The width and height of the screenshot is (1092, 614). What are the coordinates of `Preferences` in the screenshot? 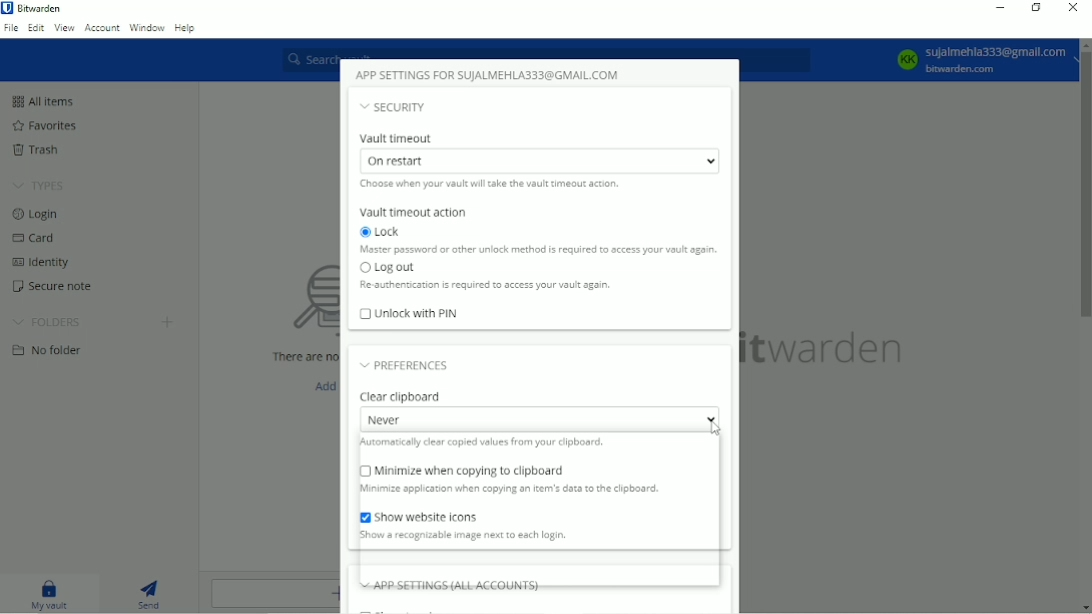 It's located at (408, 365).